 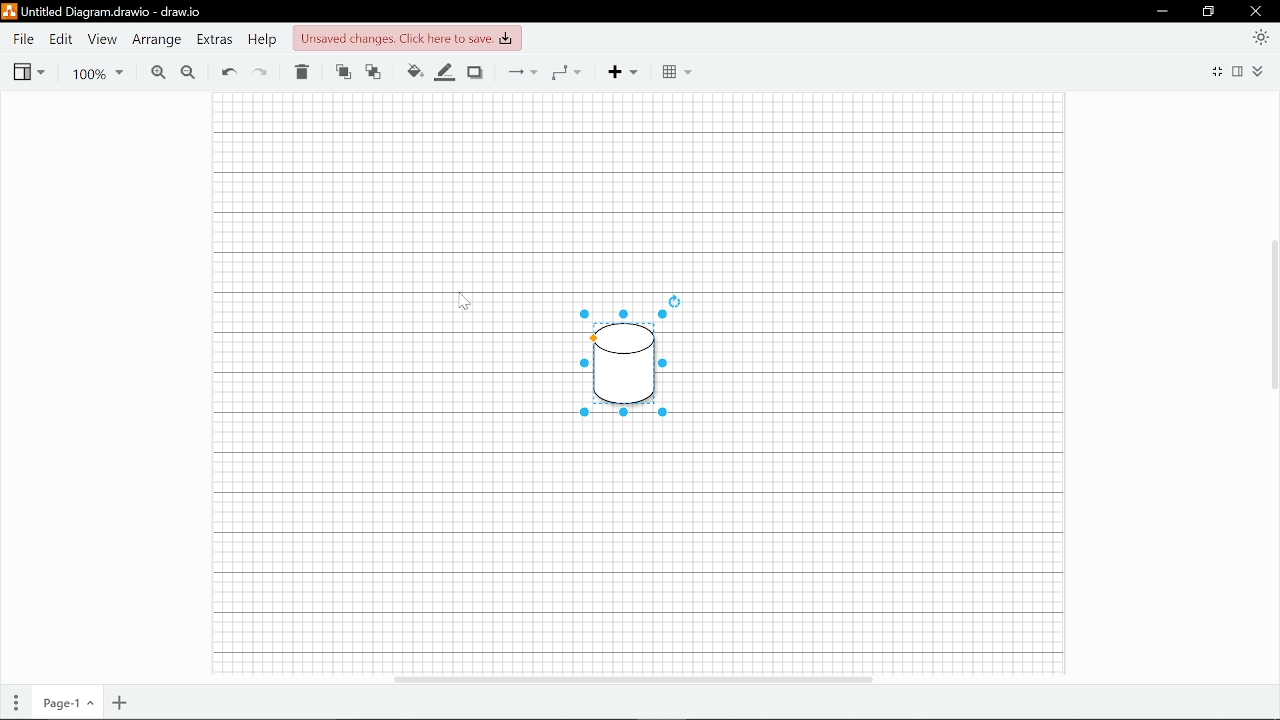 I want to click on Restore down, so click(x=1210, y=12).